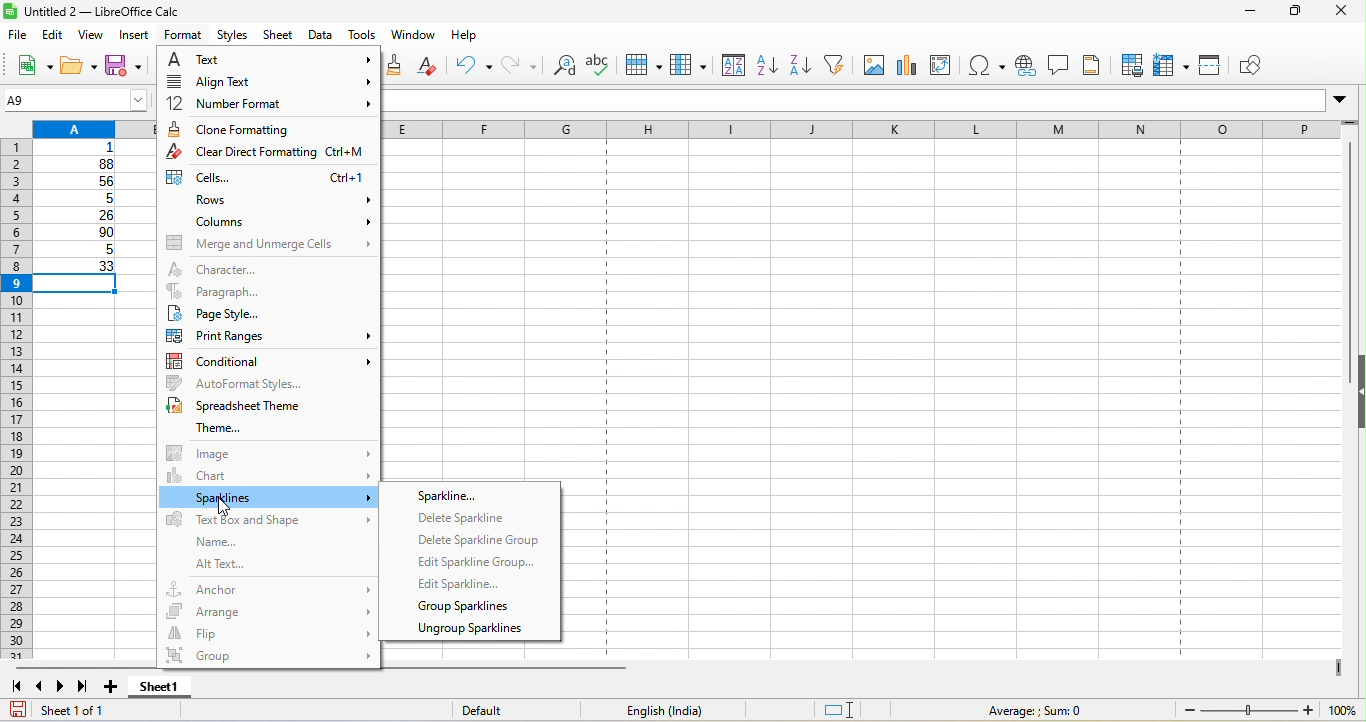  What do you see at coordinates (55, 34) in the screenshot?
I see `edit` at bounding box center [55, 34].